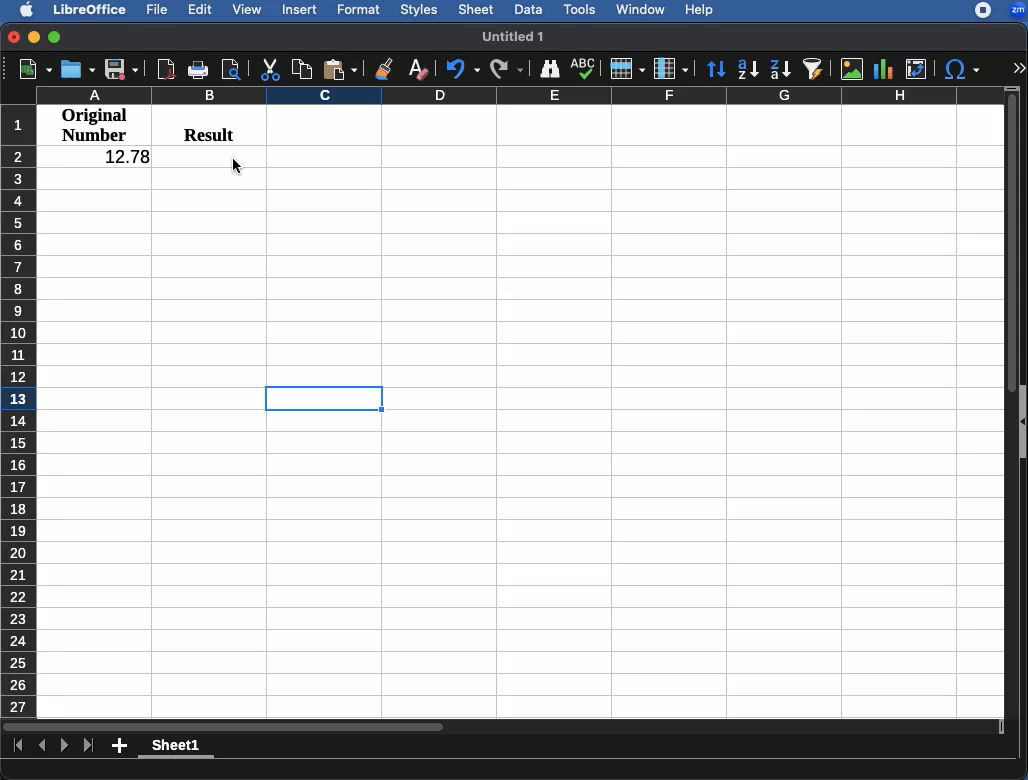 The width and height of the screenshot is (1028, 780). What do you see at coordinates (627, 69) in the screenshot?
I see `Row` at bounding box center [627, 69].